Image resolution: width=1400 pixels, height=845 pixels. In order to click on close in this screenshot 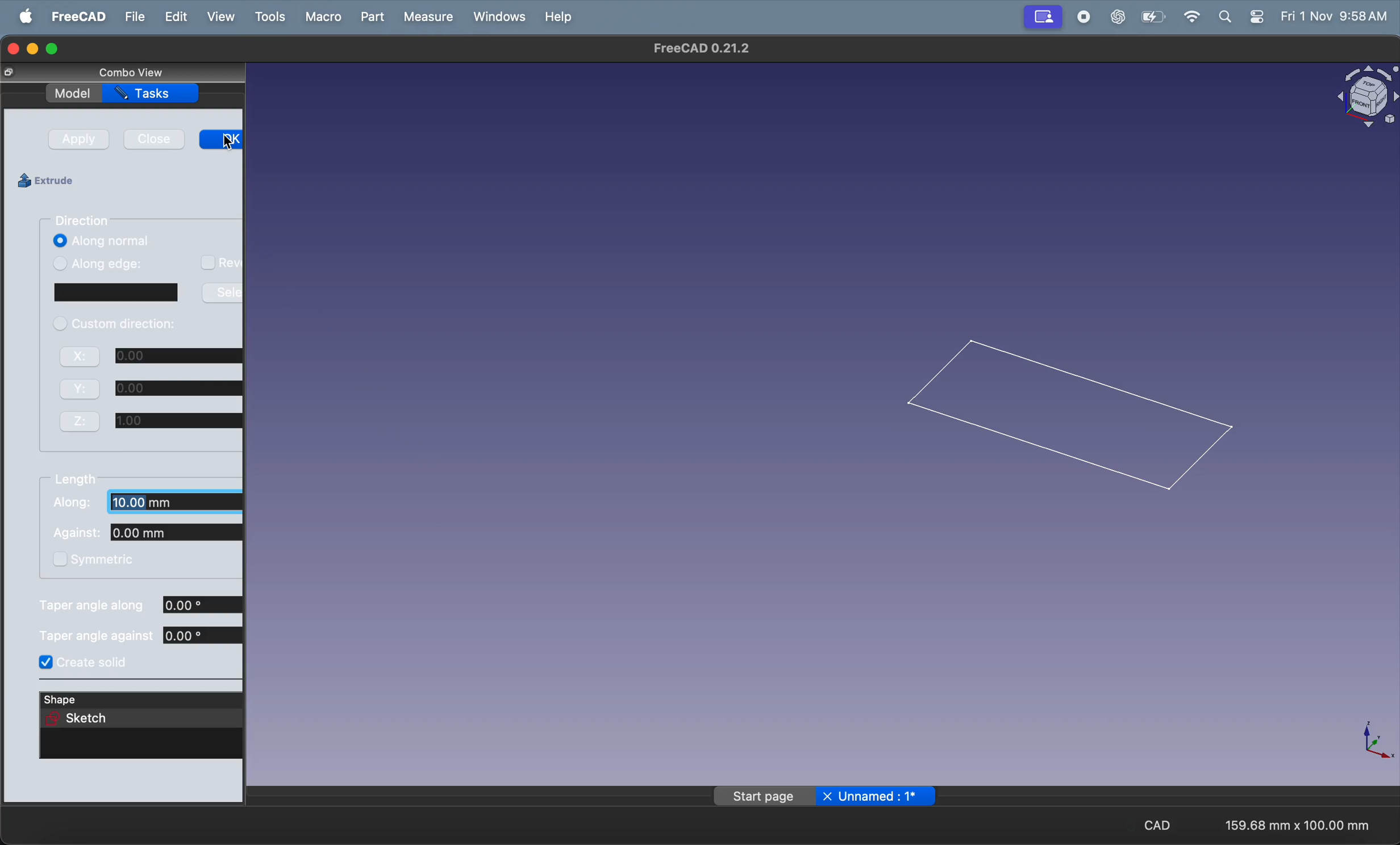, I will do `click(16, 73)`.